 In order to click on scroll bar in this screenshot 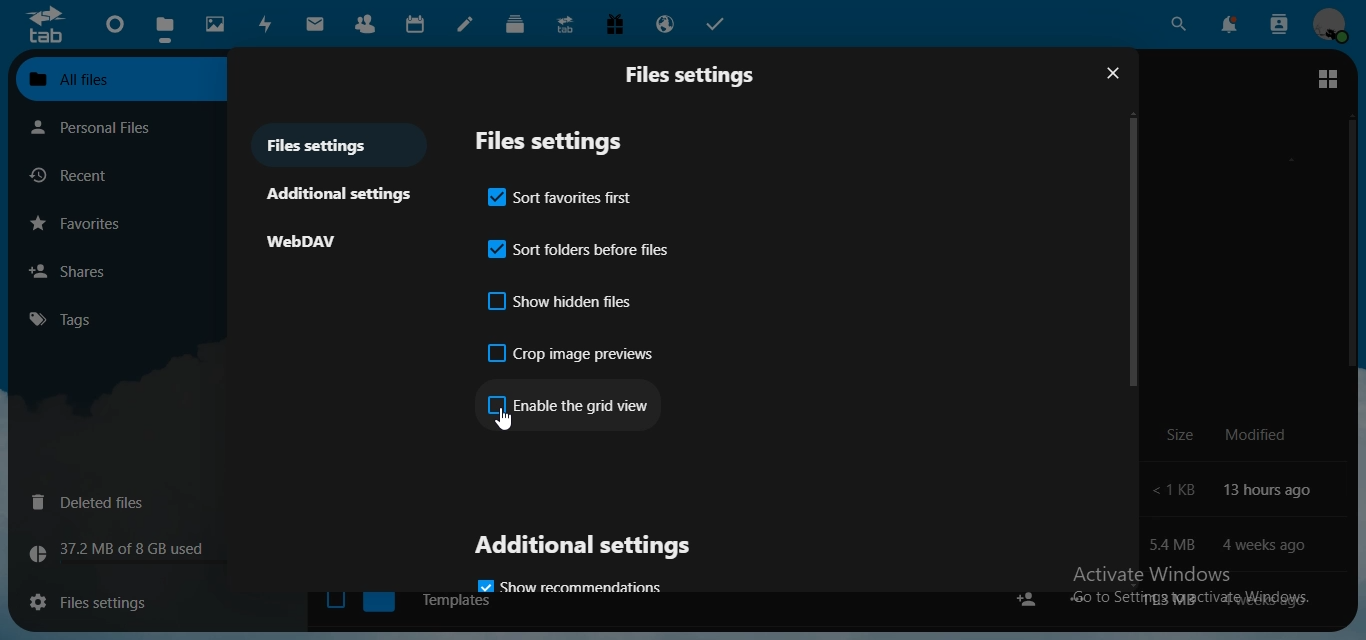, I will do `click(1134, 251)`.